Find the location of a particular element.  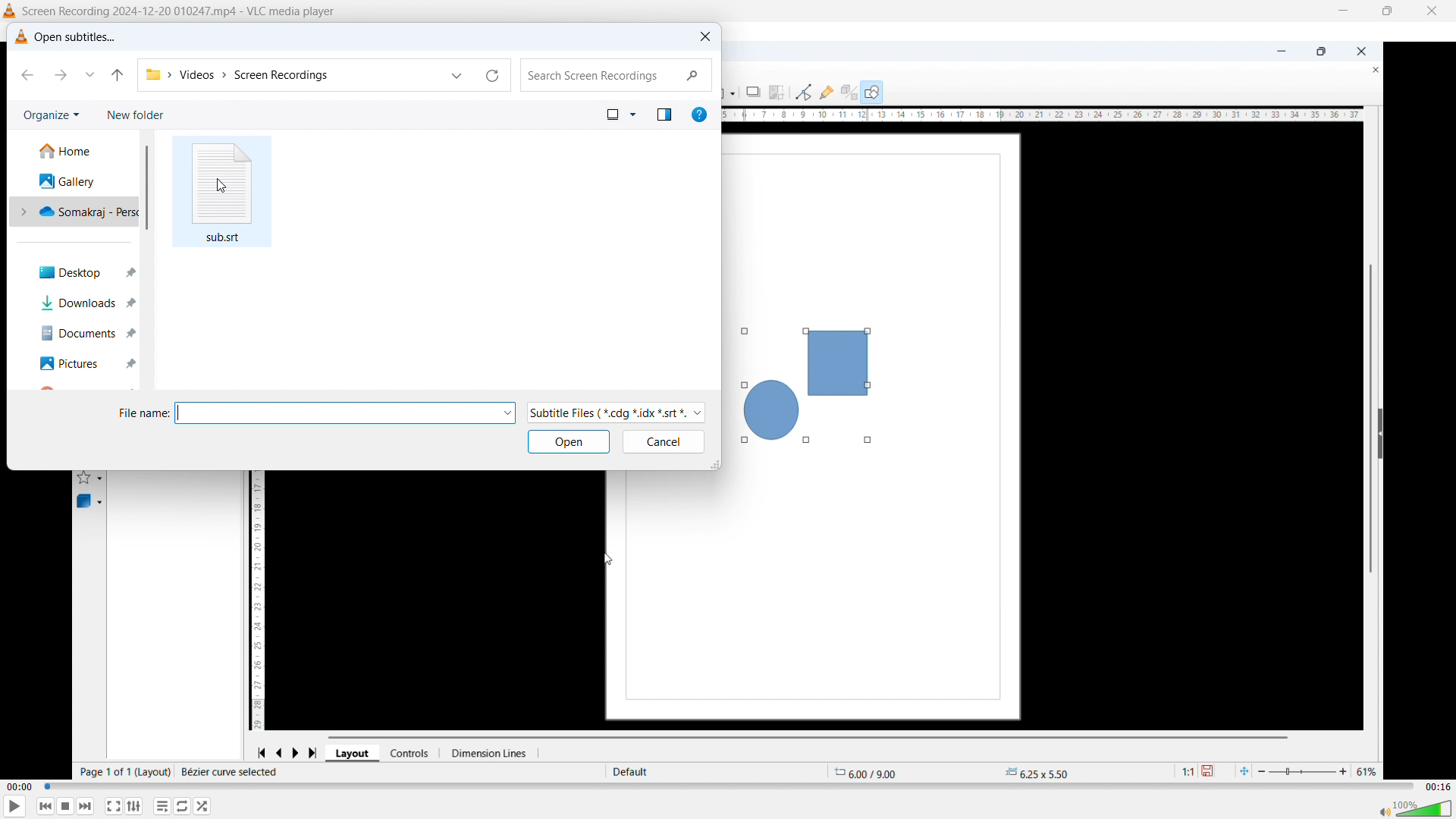

Subtitled files is located at coordinates (616, 413).